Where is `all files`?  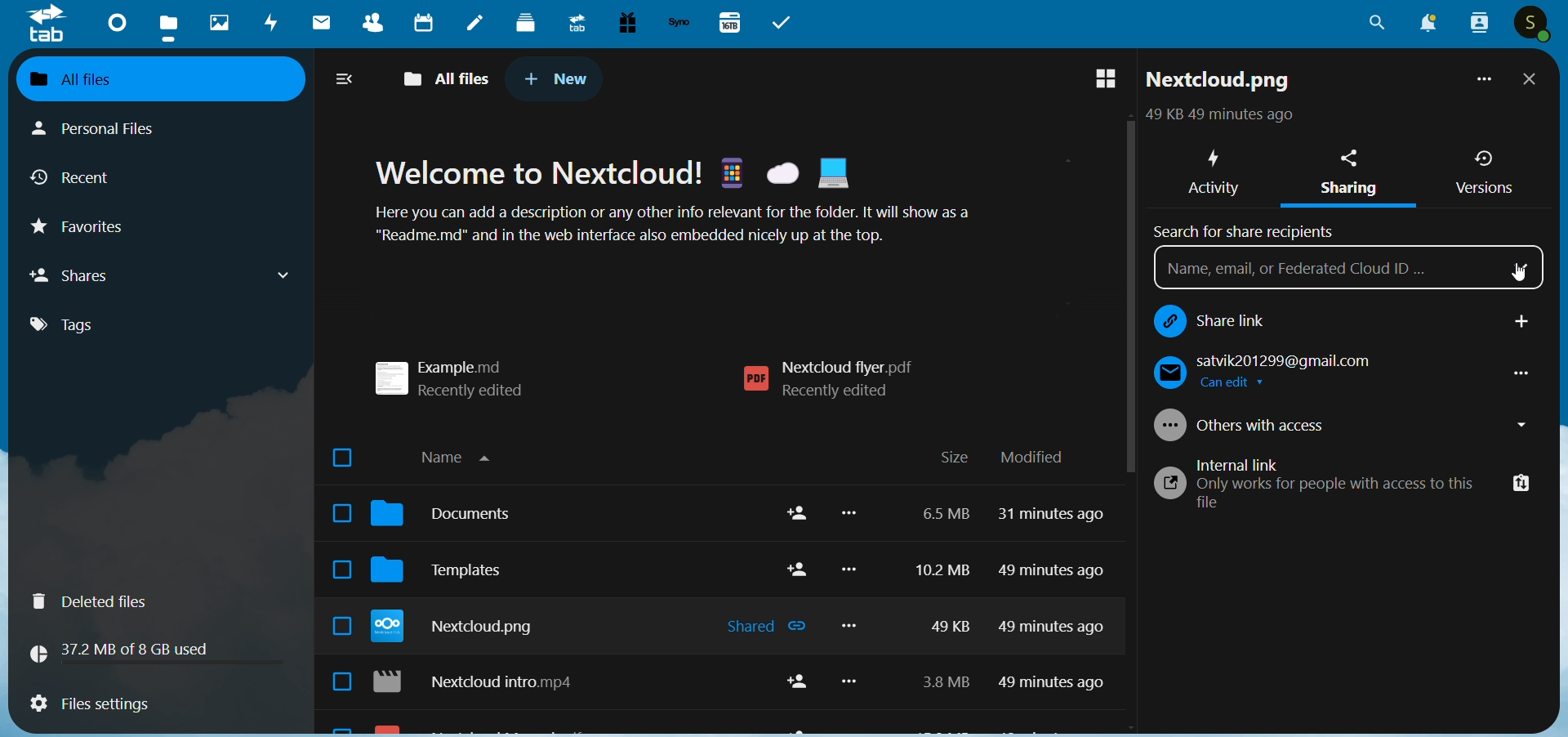 all files is located at coordinates (450, 76).